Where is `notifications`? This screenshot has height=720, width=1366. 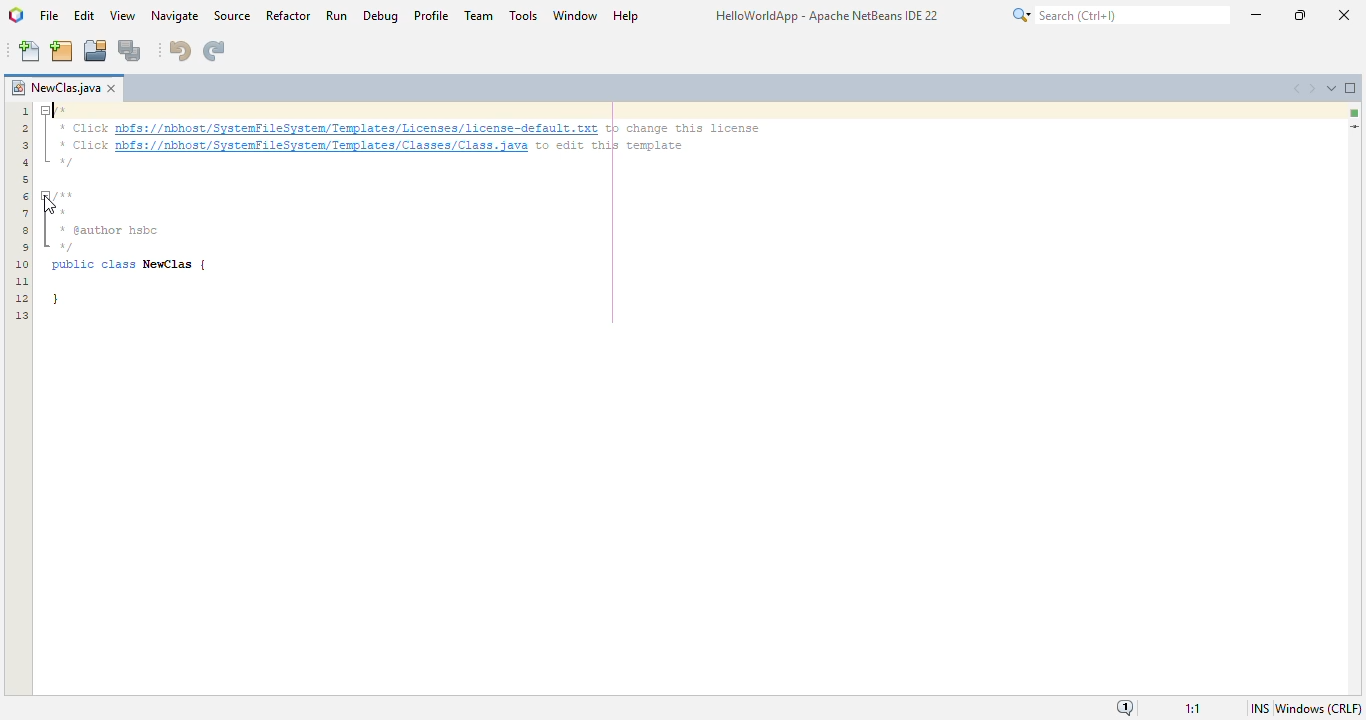
notifications is located at coordinates (1124, 708).